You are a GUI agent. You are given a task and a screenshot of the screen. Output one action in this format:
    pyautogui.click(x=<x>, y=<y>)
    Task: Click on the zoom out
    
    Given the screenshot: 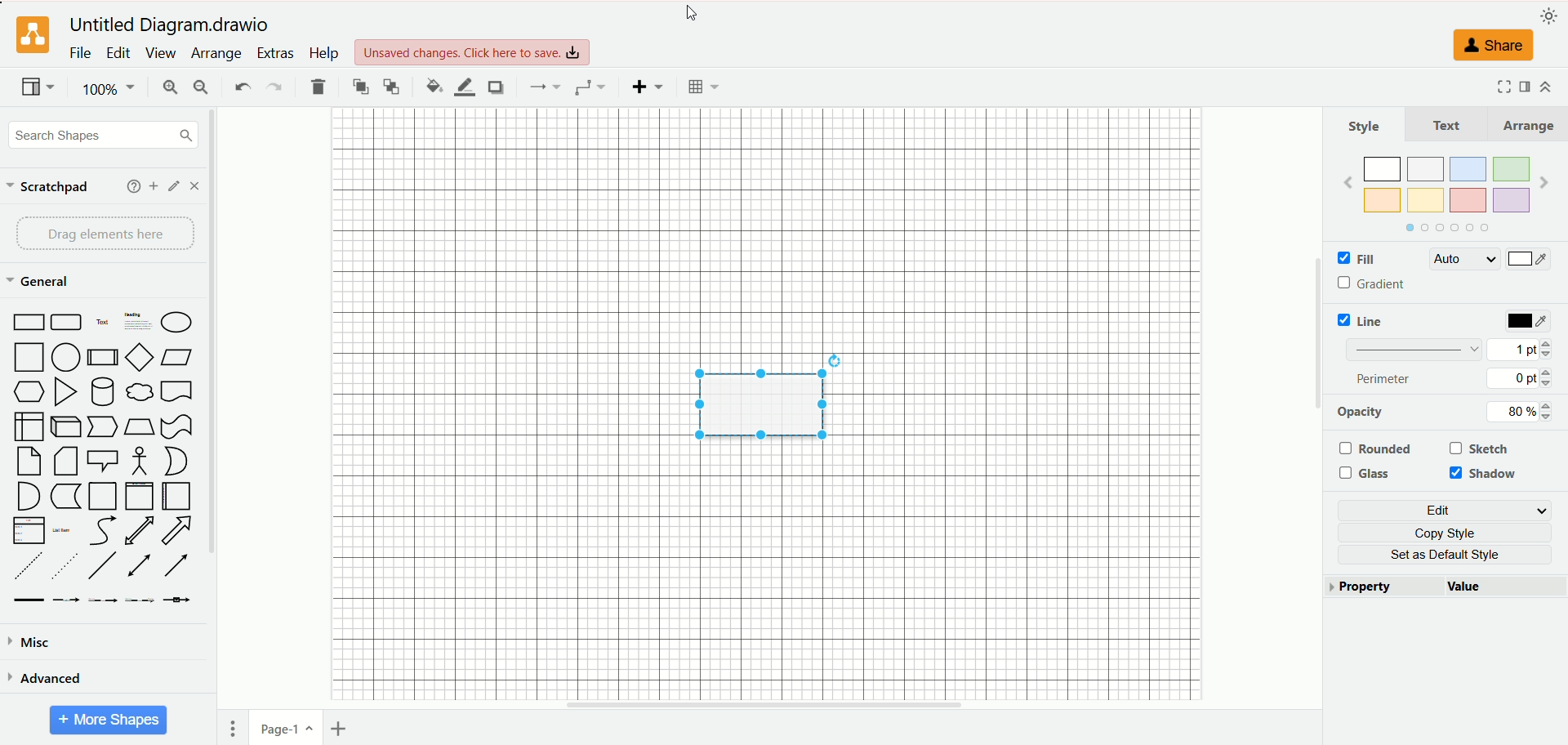 What is the action you would take?
    pyautogui.click(x=202, y=87)
    